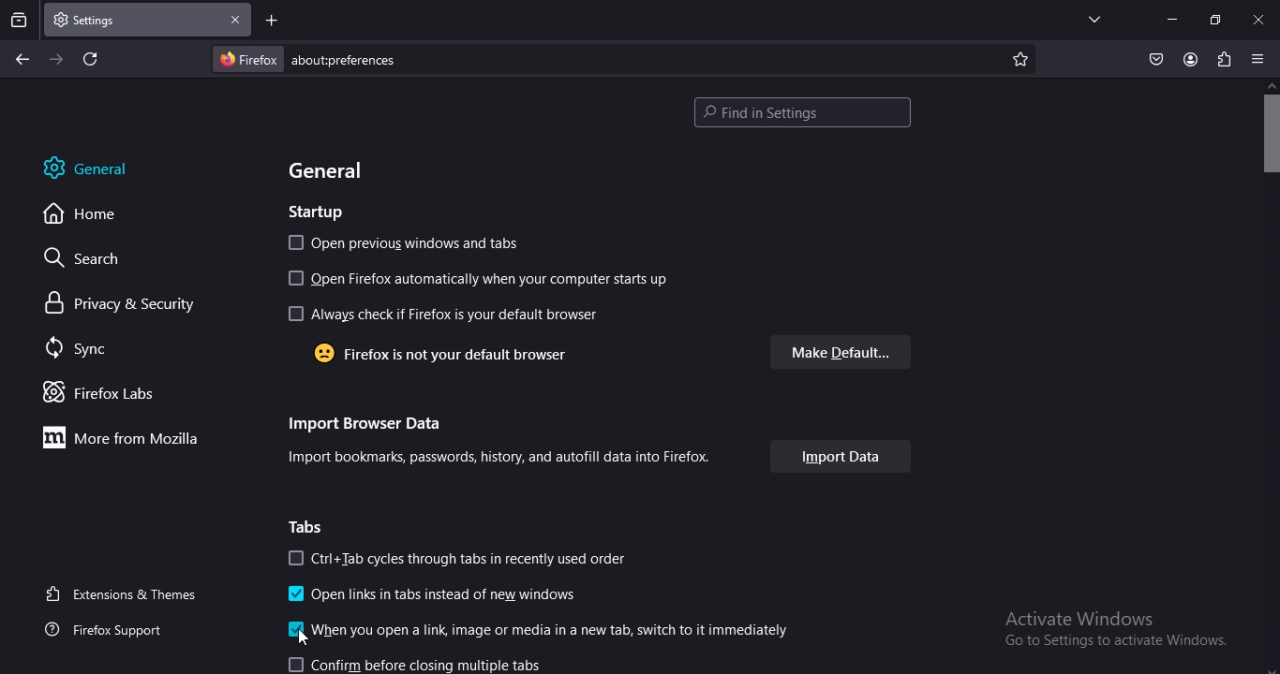 This screenshot has height=674, width=1280. Describe the element at coordinates (86, 217) in the screenshot. I see `home` at that location.